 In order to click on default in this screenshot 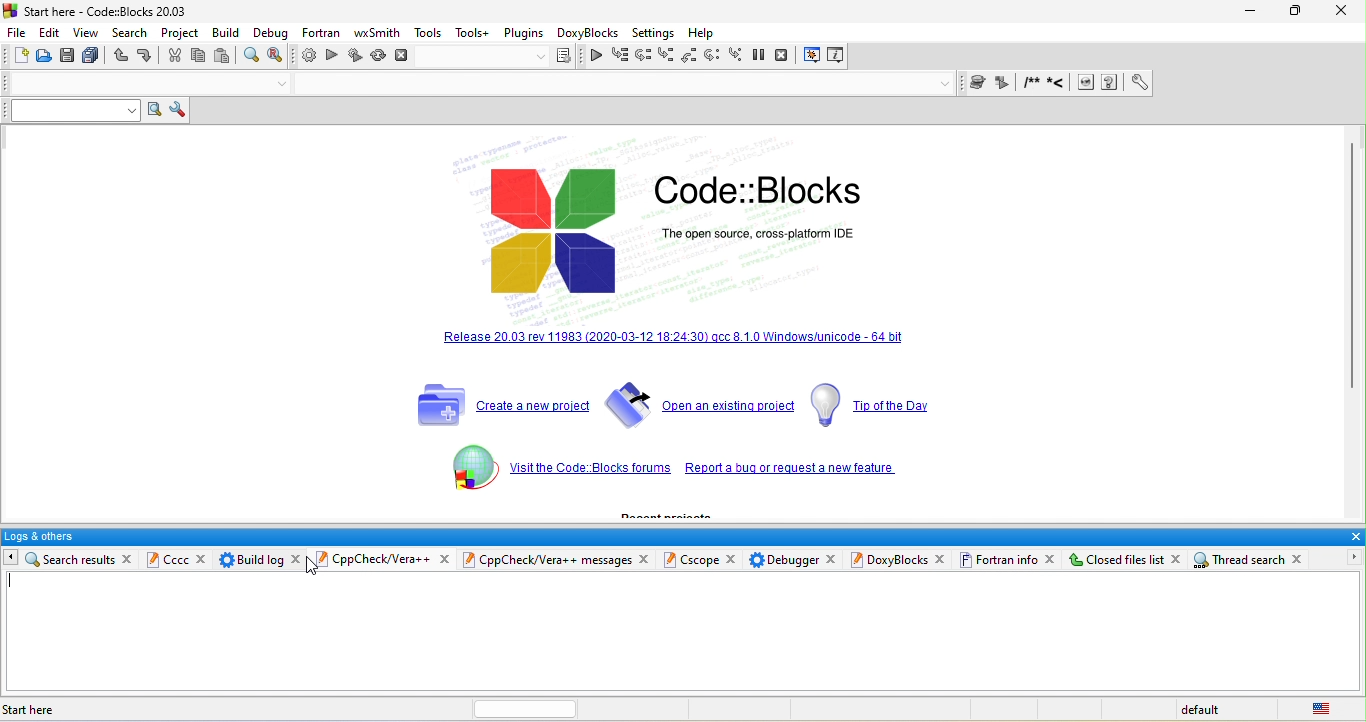, I will do `click(1209, 708)`.